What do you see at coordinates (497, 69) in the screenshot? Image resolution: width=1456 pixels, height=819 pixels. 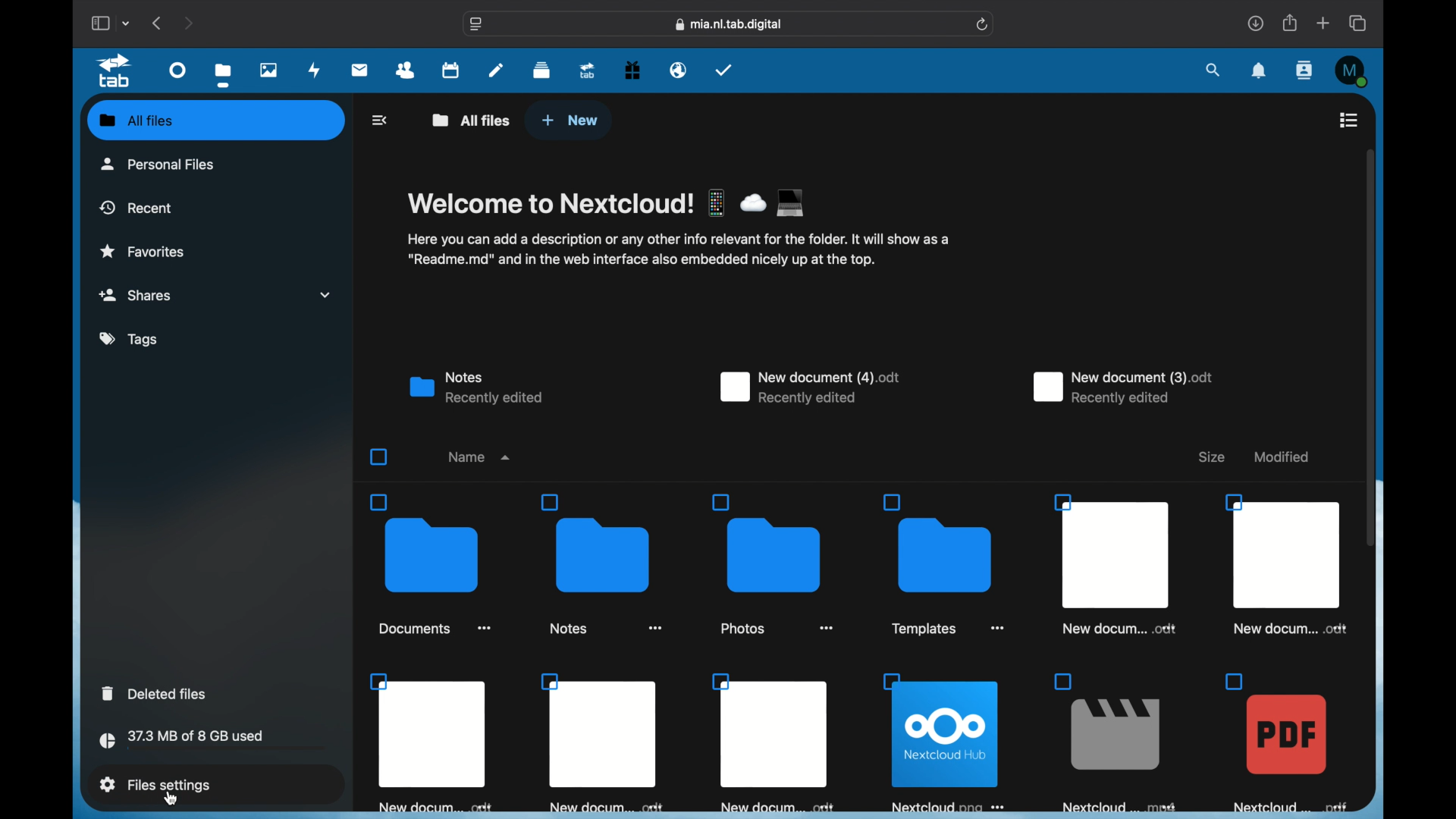 I see `notes` at bounding box center [497, 69].